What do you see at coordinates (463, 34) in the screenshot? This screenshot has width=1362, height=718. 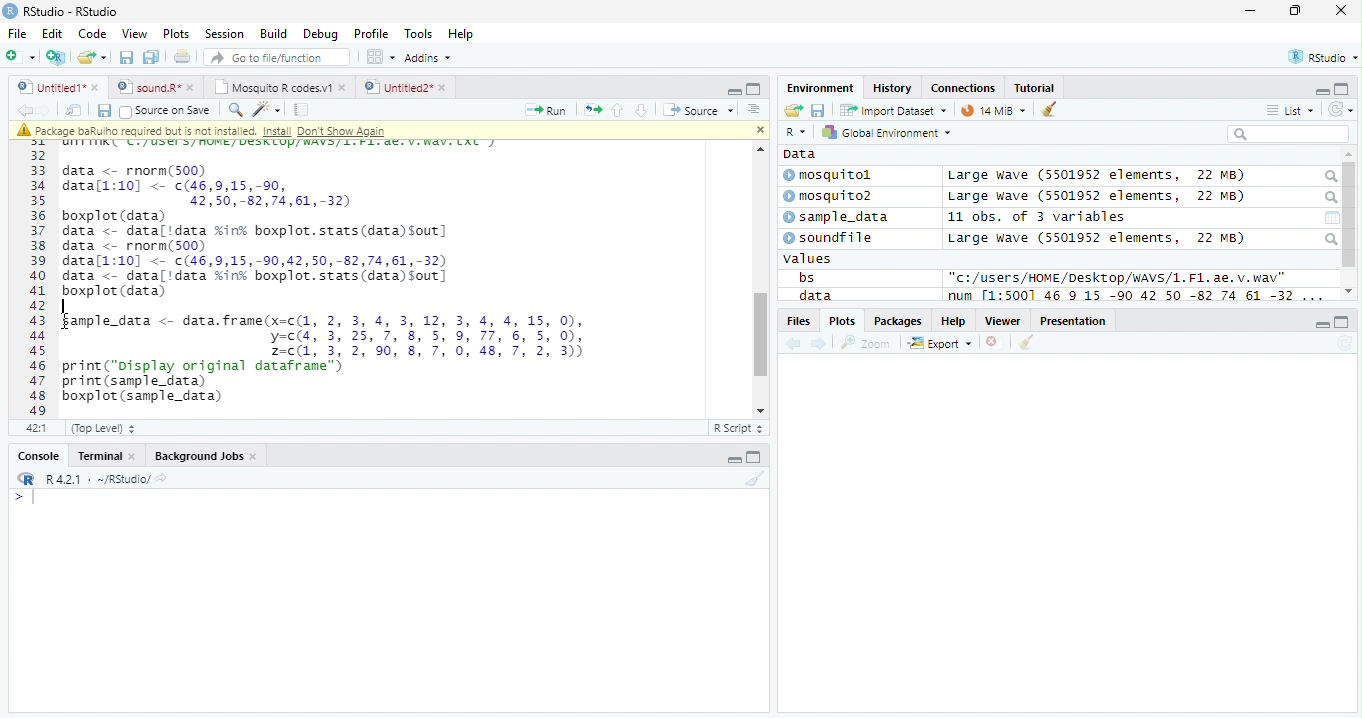 I see `Help` at bounding box center [463, 34].